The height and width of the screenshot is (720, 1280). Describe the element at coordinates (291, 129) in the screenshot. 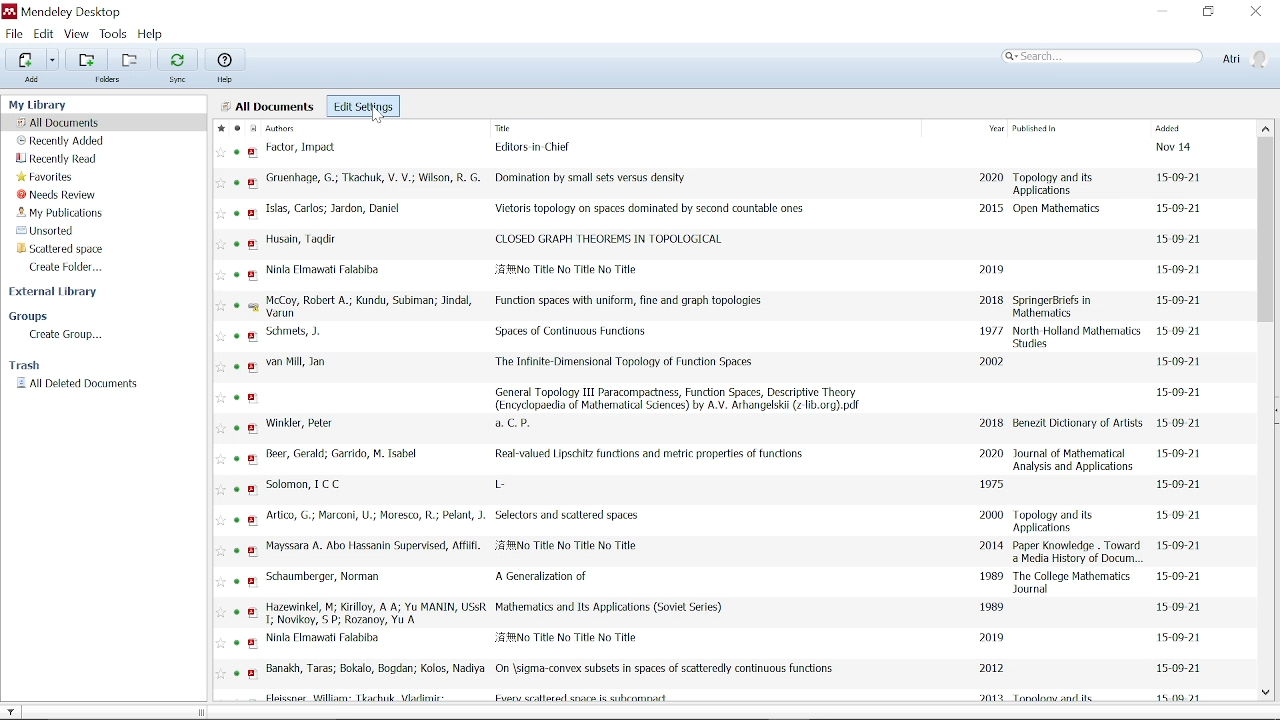

I see `Authors` at that location.